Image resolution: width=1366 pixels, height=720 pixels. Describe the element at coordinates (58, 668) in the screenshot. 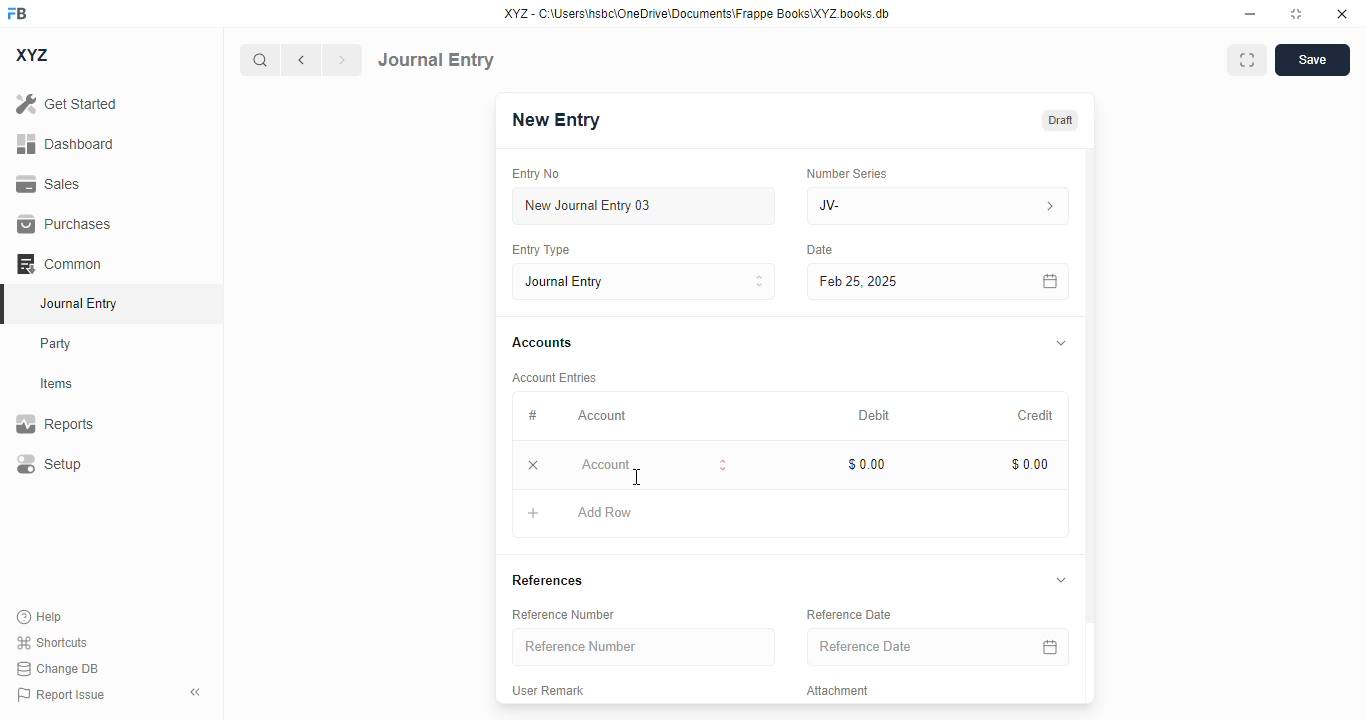

I see `change DB` at that location.